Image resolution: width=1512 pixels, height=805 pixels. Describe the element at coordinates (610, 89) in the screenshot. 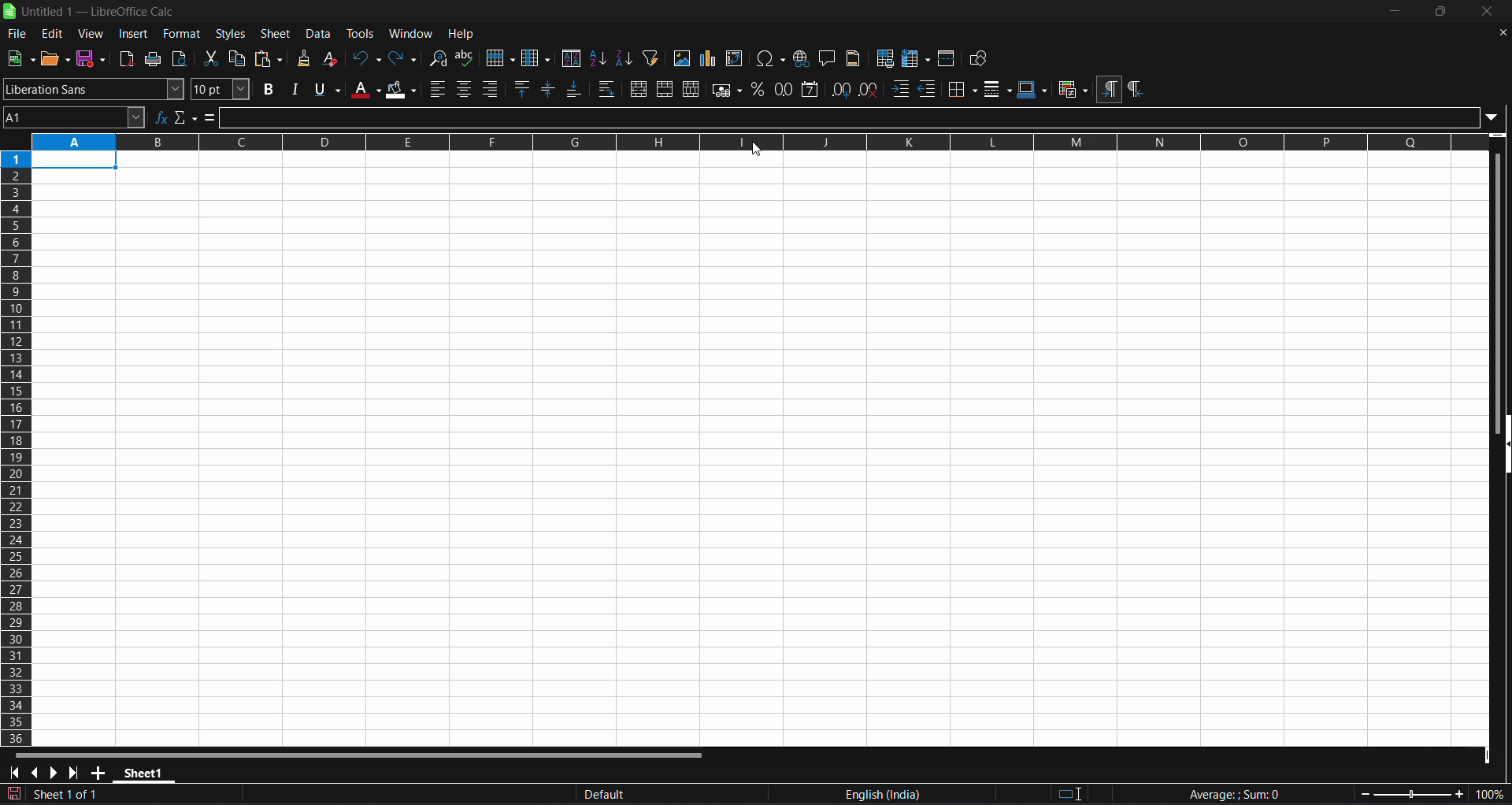

I see `wrap text` at that location.